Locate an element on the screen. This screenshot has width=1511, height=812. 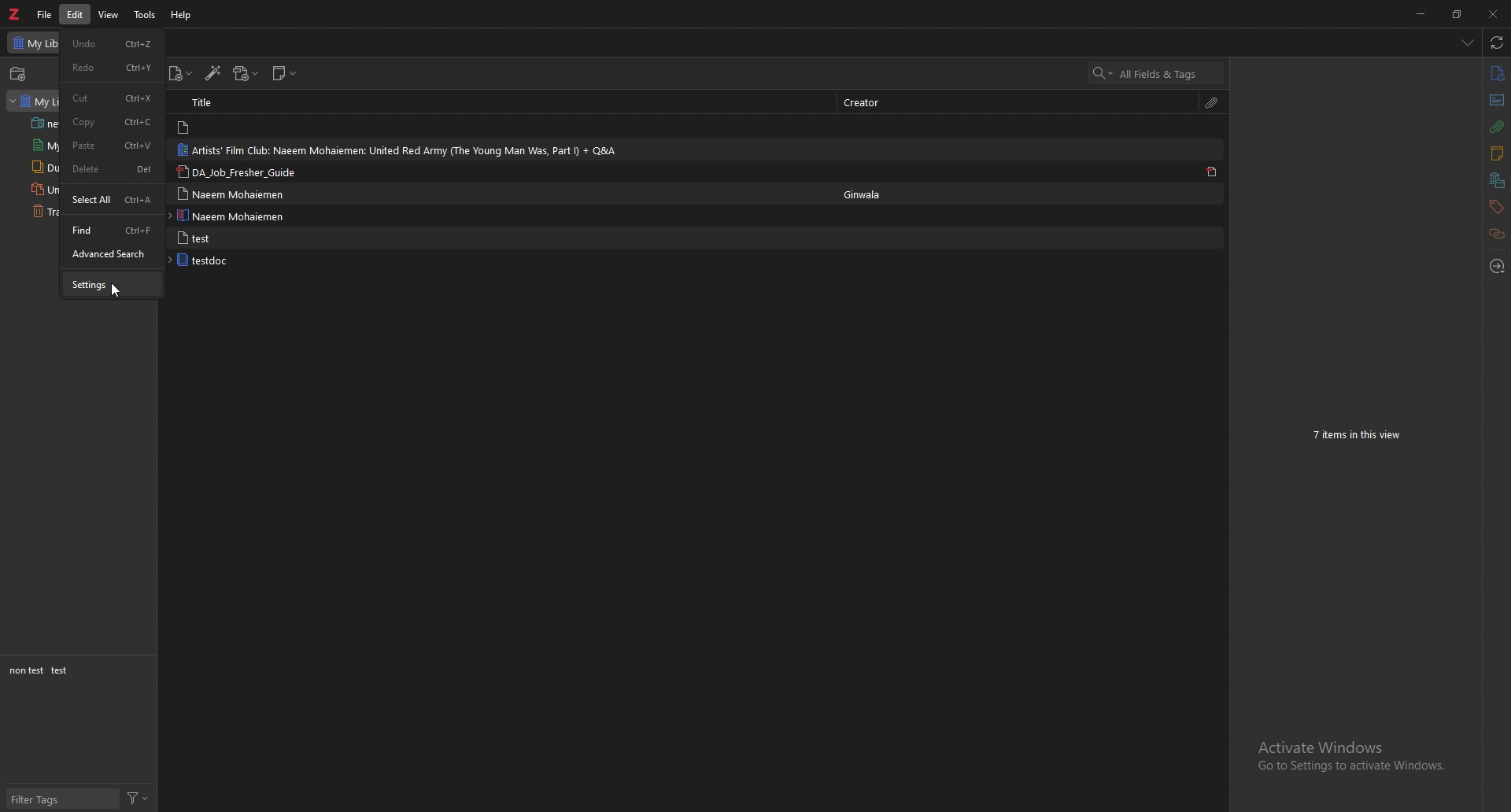
related is located at coordinates (1498, 233).